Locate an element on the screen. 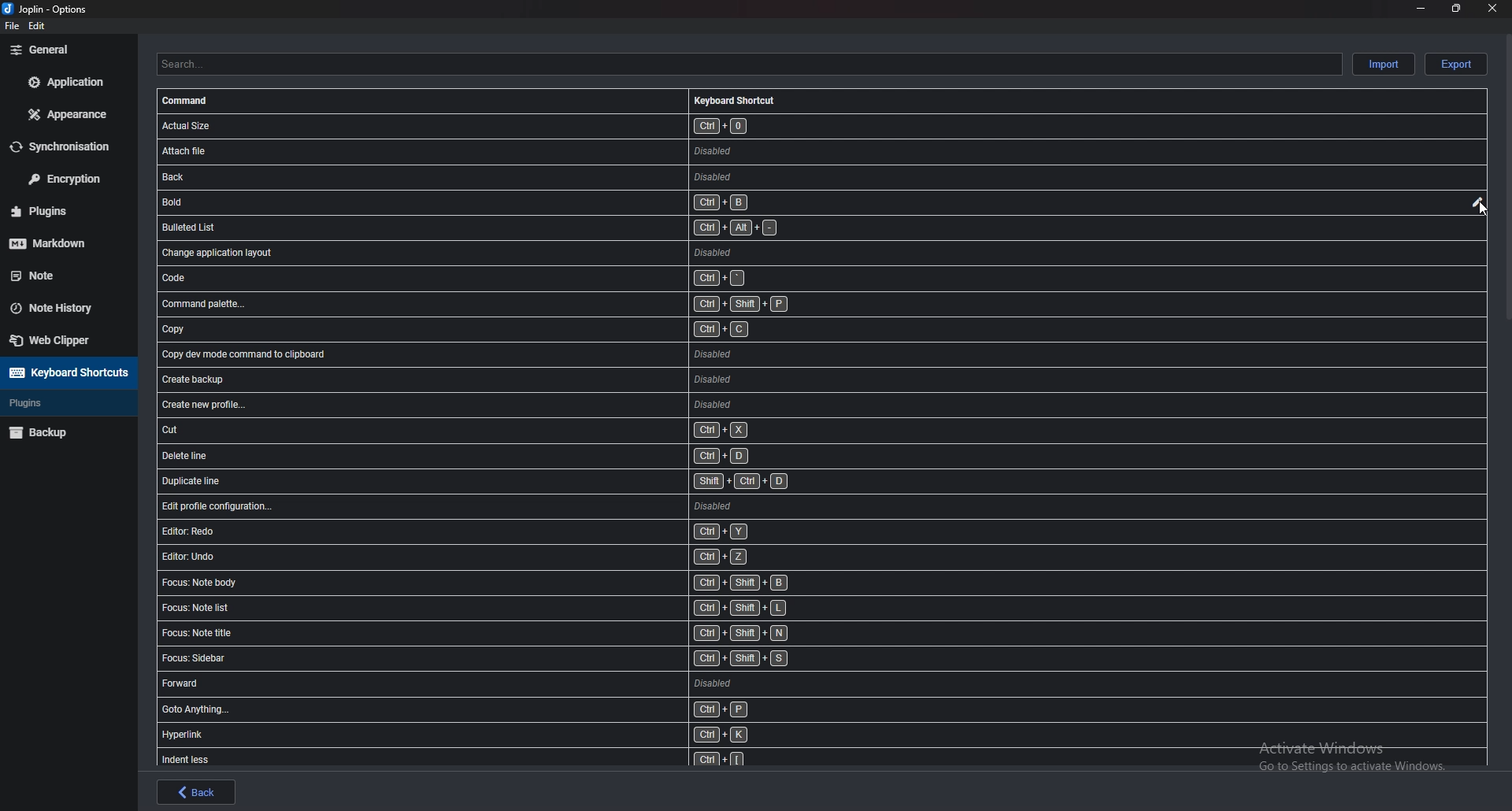 Image resolution: width=1512 pixels, height=811 pixels. shortcut is located at coordinates (473, 127).